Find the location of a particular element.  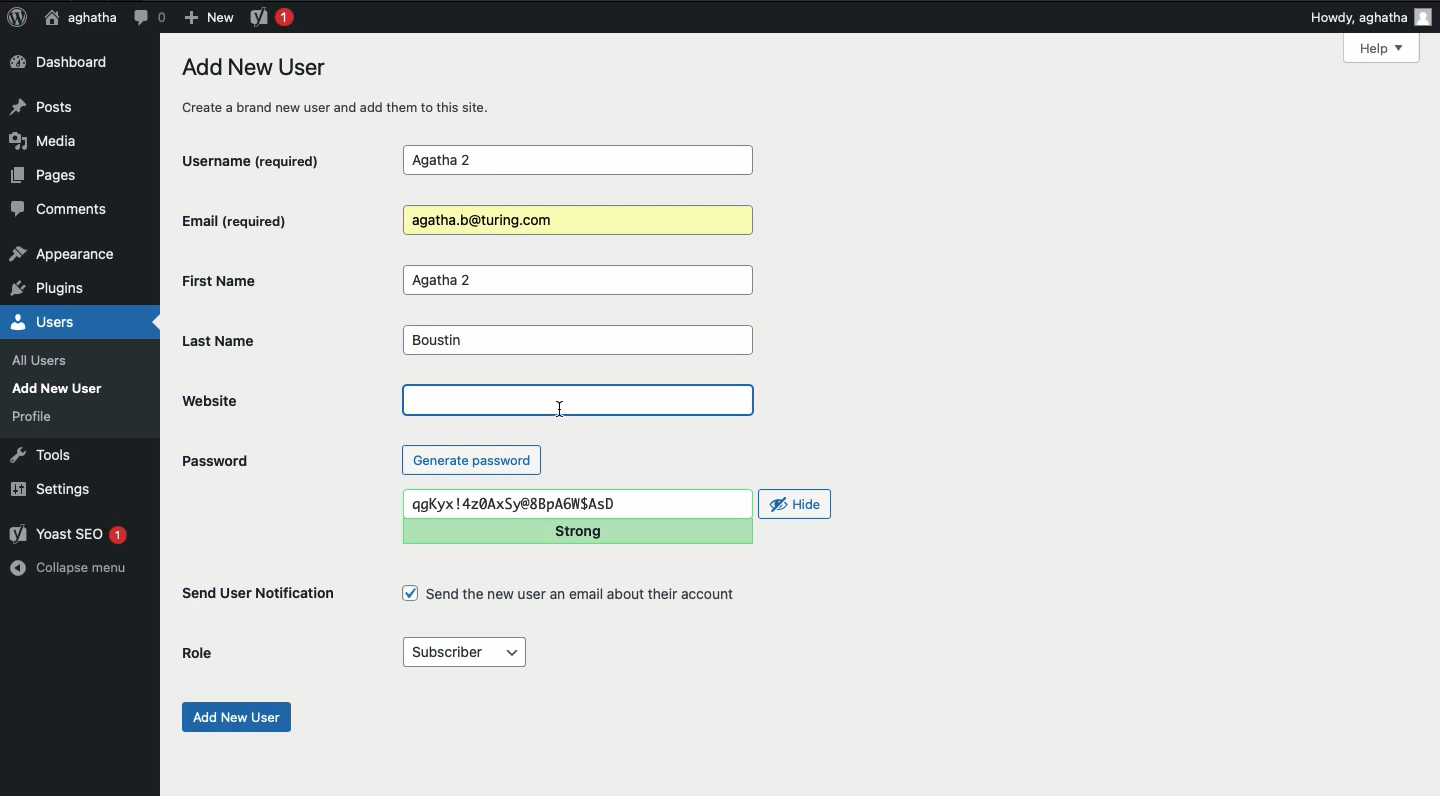

Subscriber is located at coordinates (463, 653).